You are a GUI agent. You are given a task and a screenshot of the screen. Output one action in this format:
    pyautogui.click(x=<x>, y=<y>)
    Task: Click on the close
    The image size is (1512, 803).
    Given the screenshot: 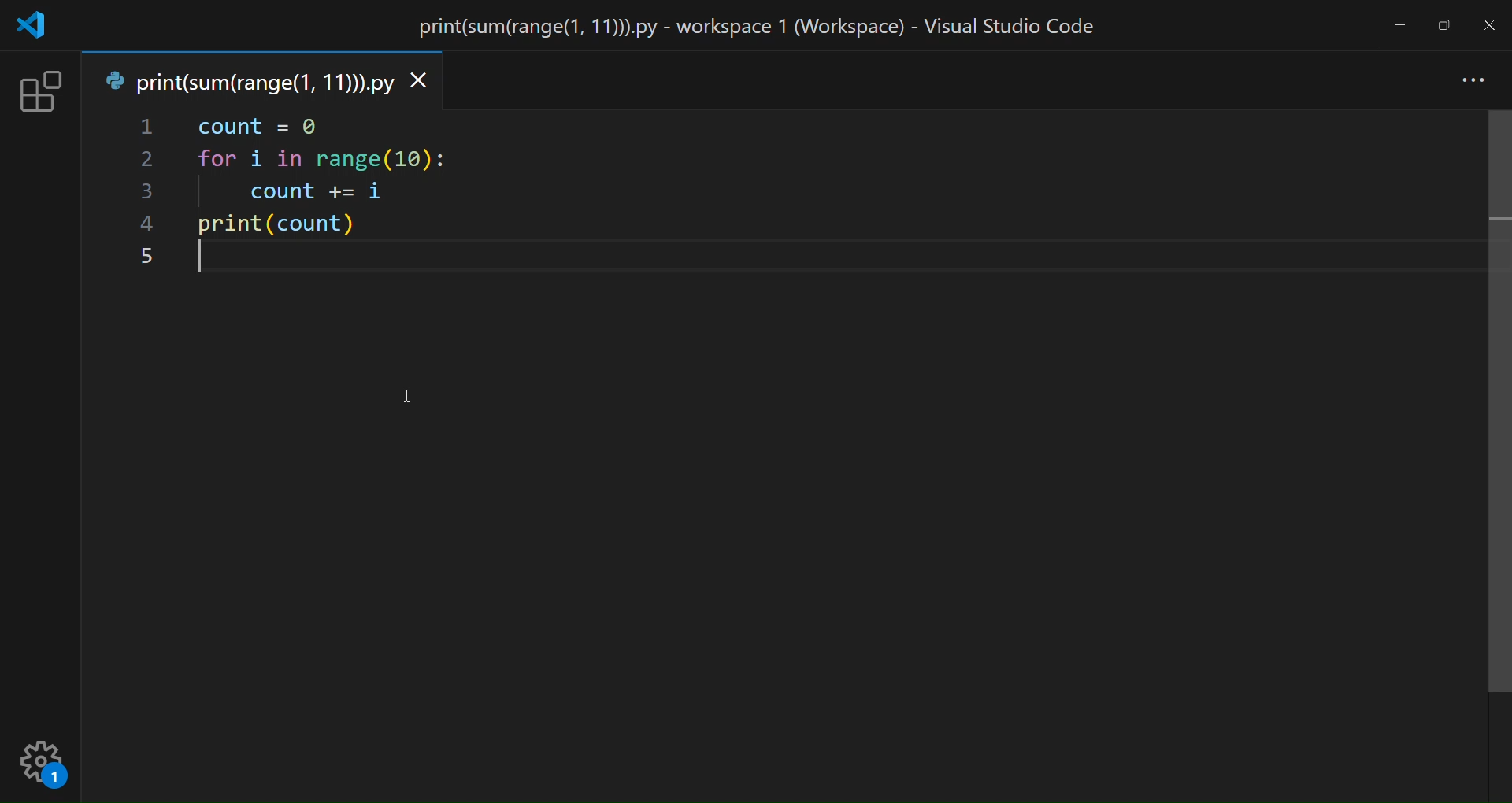 What is the action you would take?
    pyautogui.click(x=1491, y=25)
    